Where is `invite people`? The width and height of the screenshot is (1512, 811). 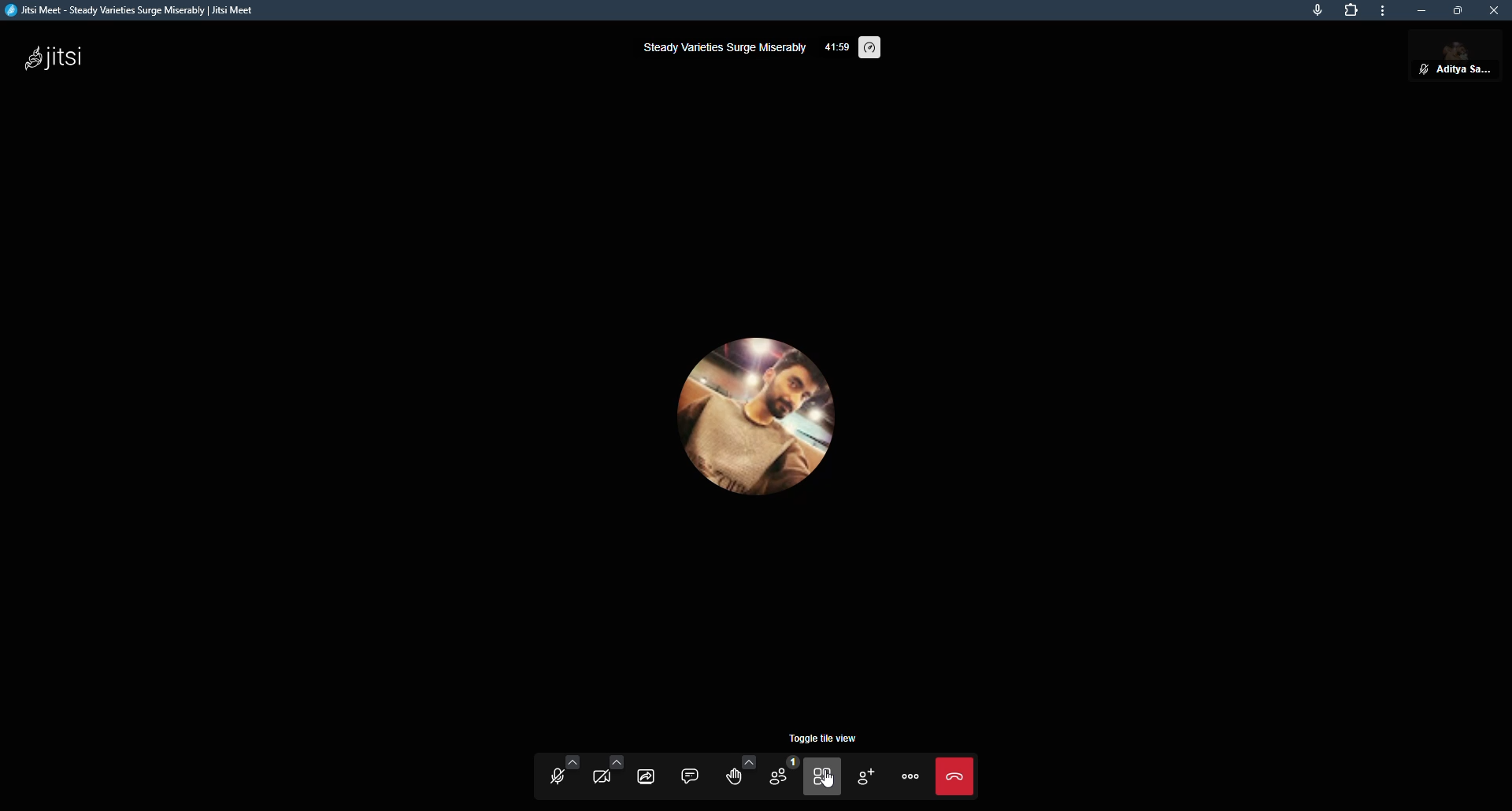 invite people is located at coordinates (865, 776).